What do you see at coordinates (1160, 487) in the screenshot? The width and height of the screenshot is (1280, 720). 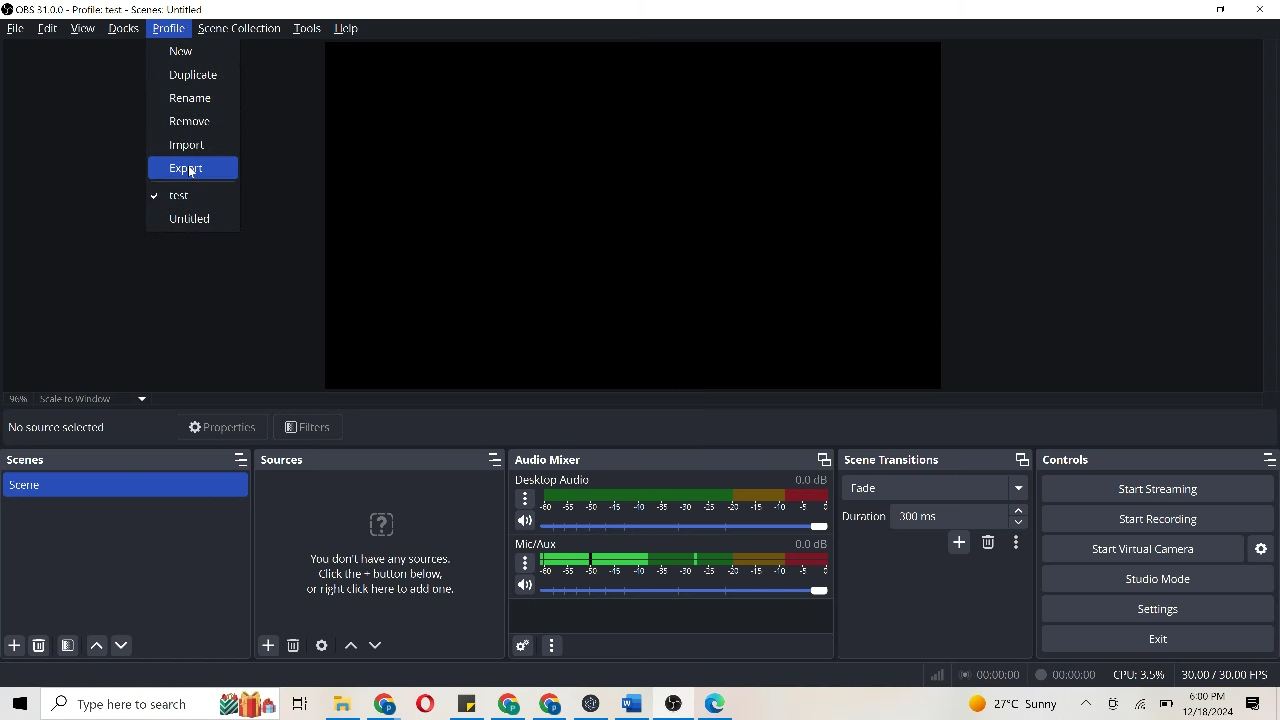 I see `start streaming` at bounding box center [1160, 487].